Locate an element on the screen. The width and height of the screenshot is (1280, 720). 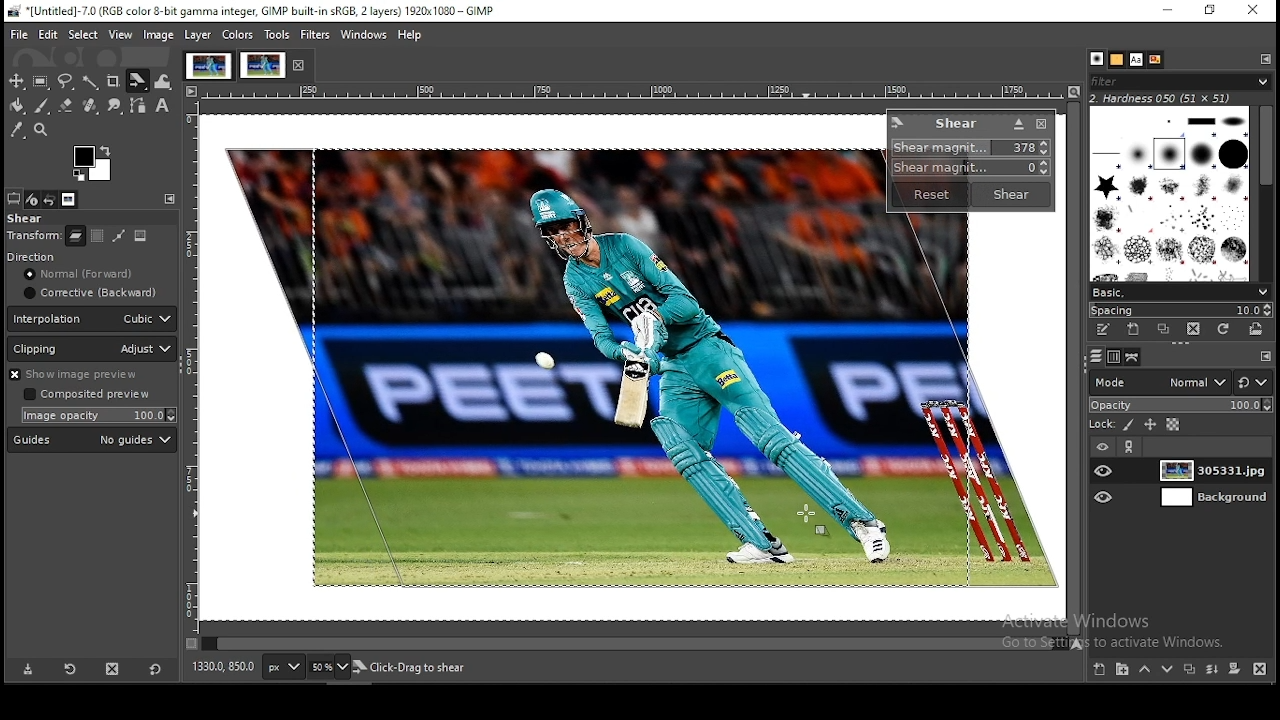
scroll bar is located at coordinates (634, 644).